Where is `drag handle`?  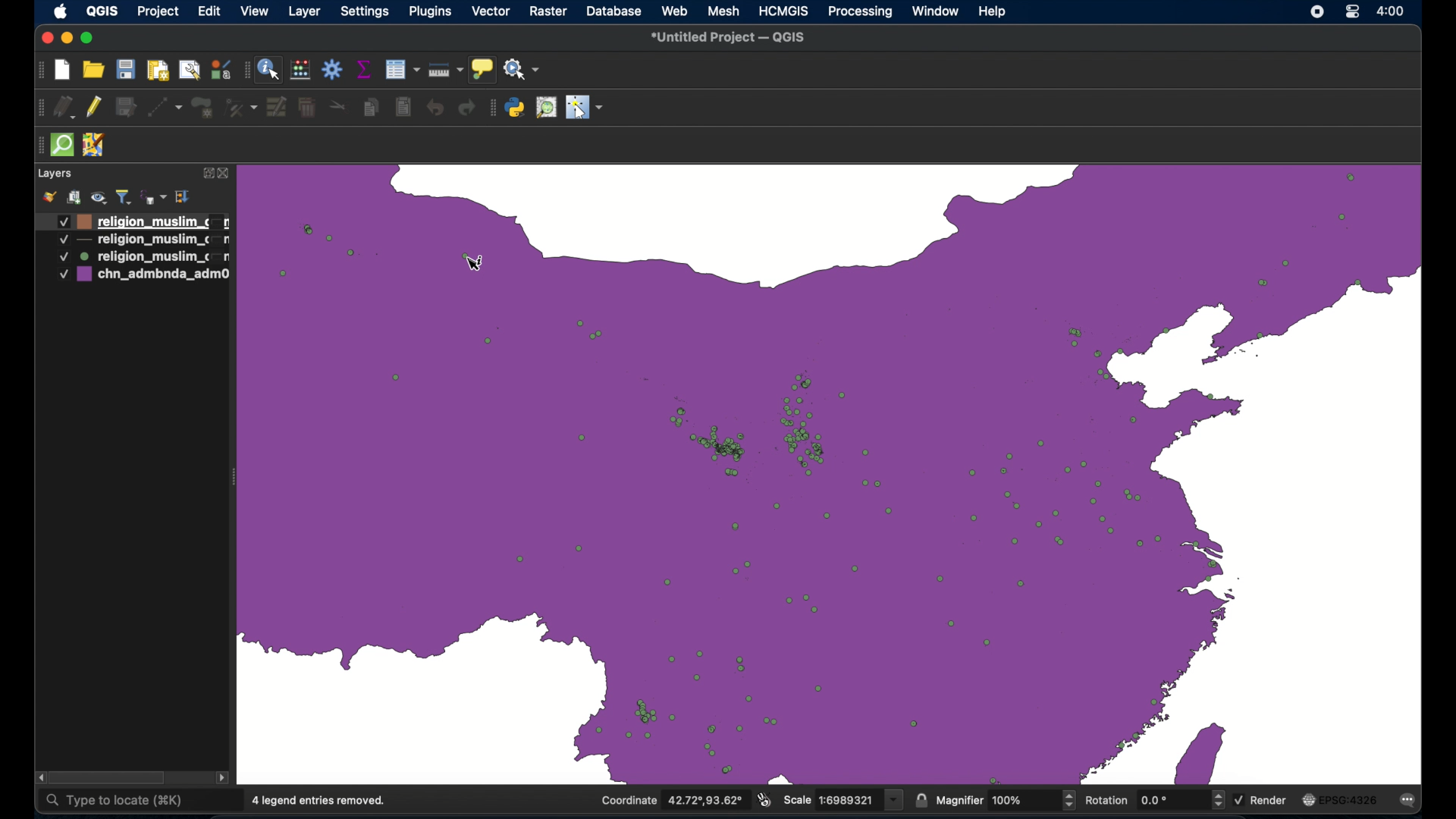
drag handle is located at coordinates (243, 71).